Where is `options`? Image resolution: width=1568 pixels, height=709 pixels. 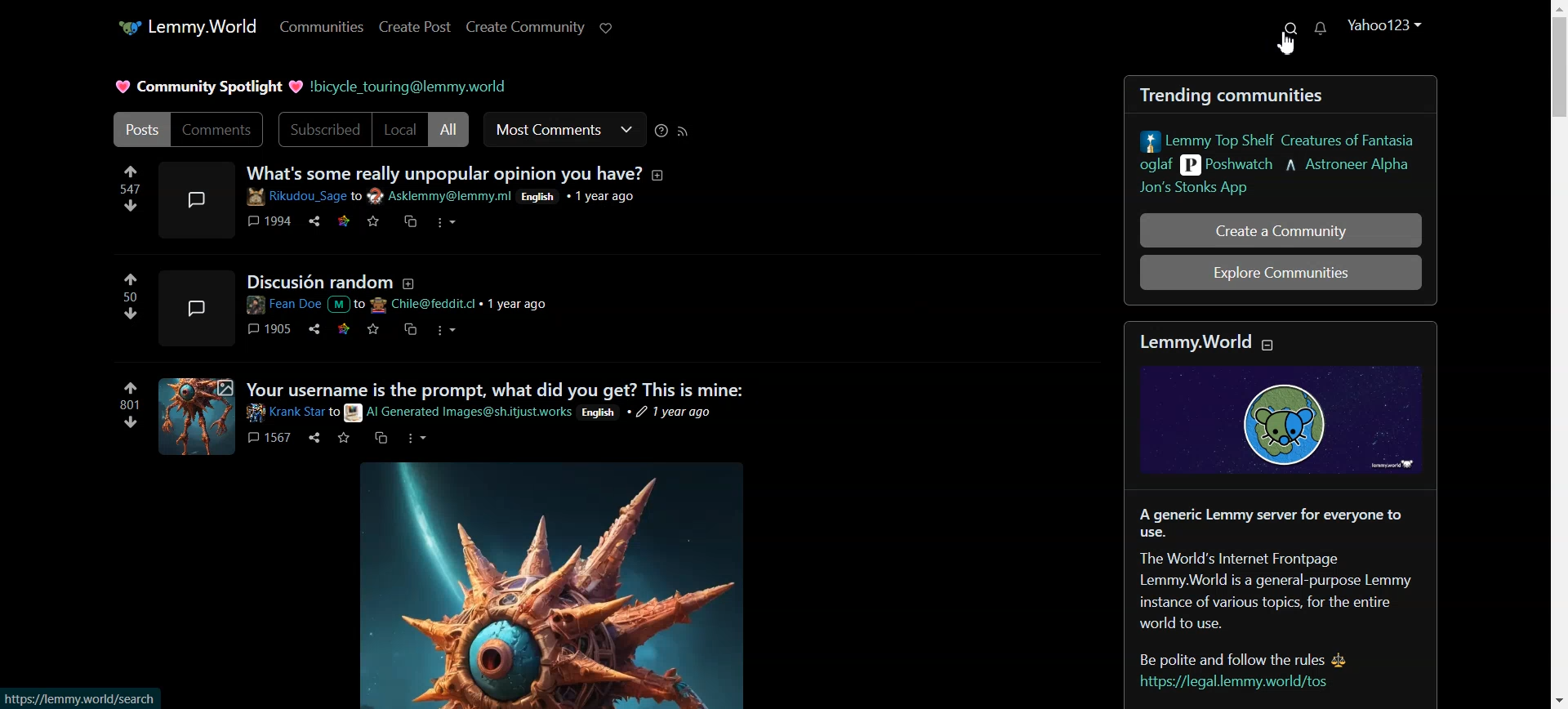
options is located at coordinates (448, 331).